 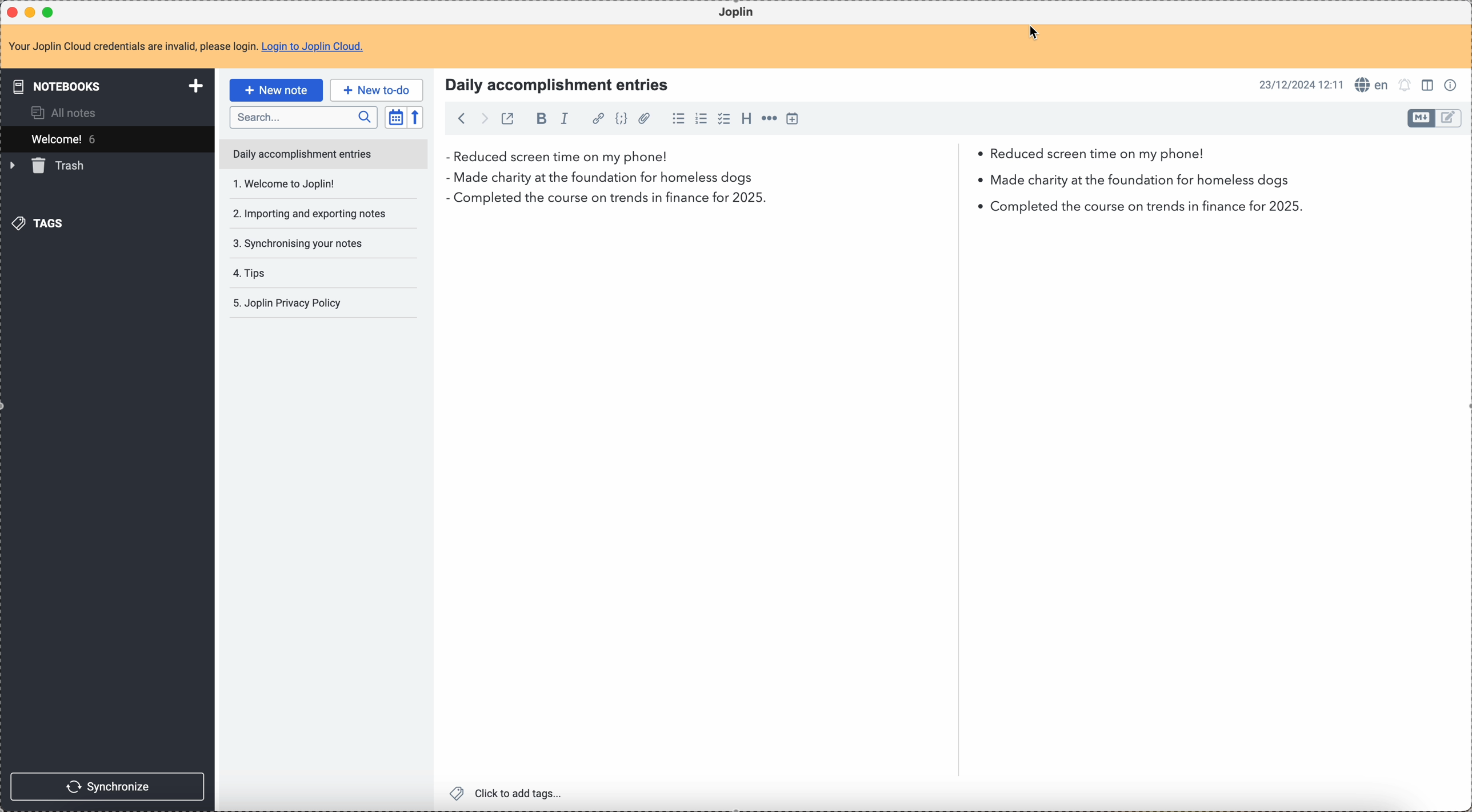 What do you see at coordinates (508, 794) in the screenshot?
I see `click to add tags` at bounding box center [508, 794].